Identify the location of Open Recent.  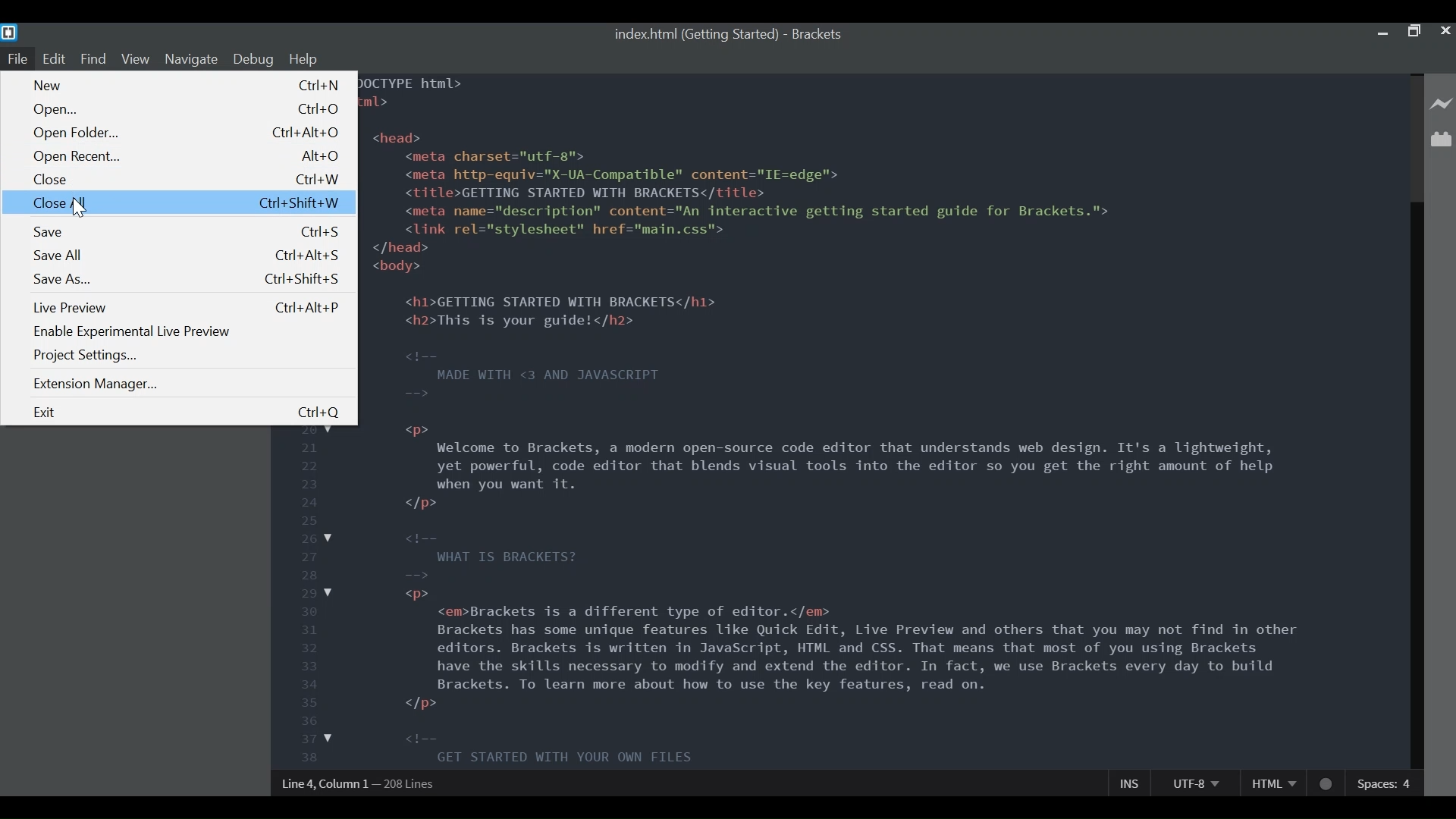
(186, 158).